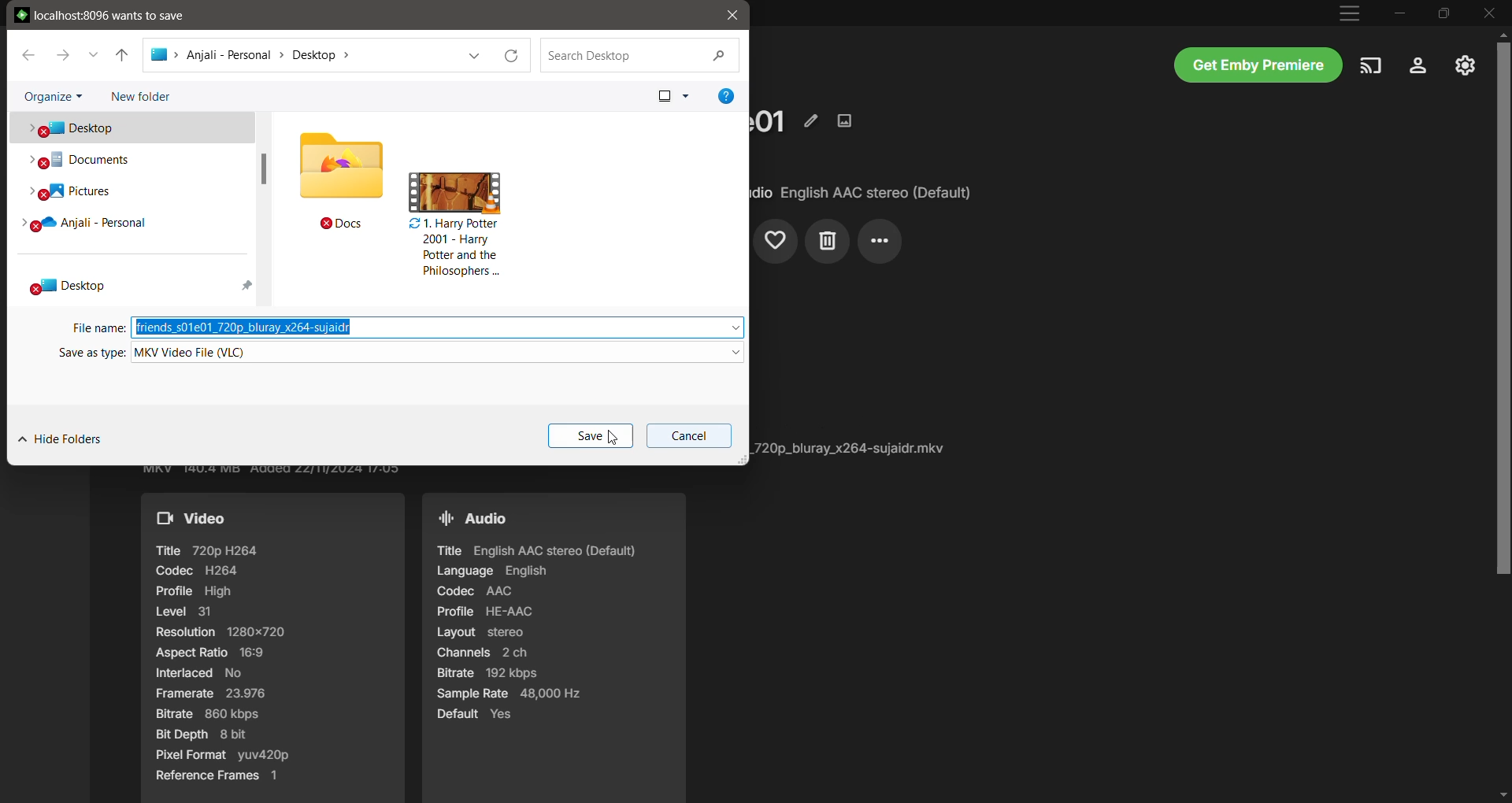 The image size is (1512, 803). What do you see at coordinates (669, 94) in the screenshot?
I see `Change your view` at bounding box center [669, 94].